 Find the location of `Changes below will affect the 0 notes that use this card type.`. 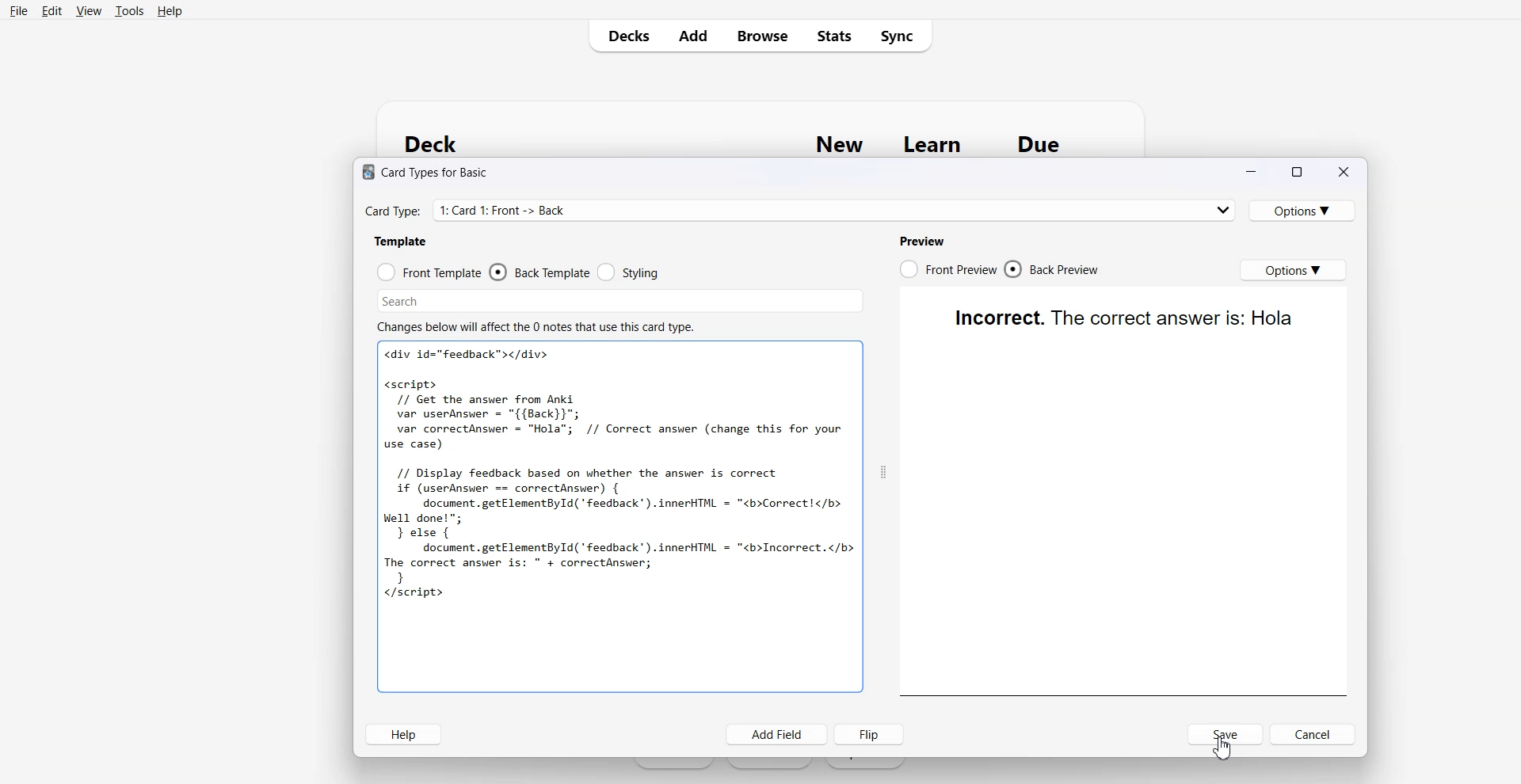

Changes below will affect the 0 notes that use this card type. is located at coordinates (537, 328).